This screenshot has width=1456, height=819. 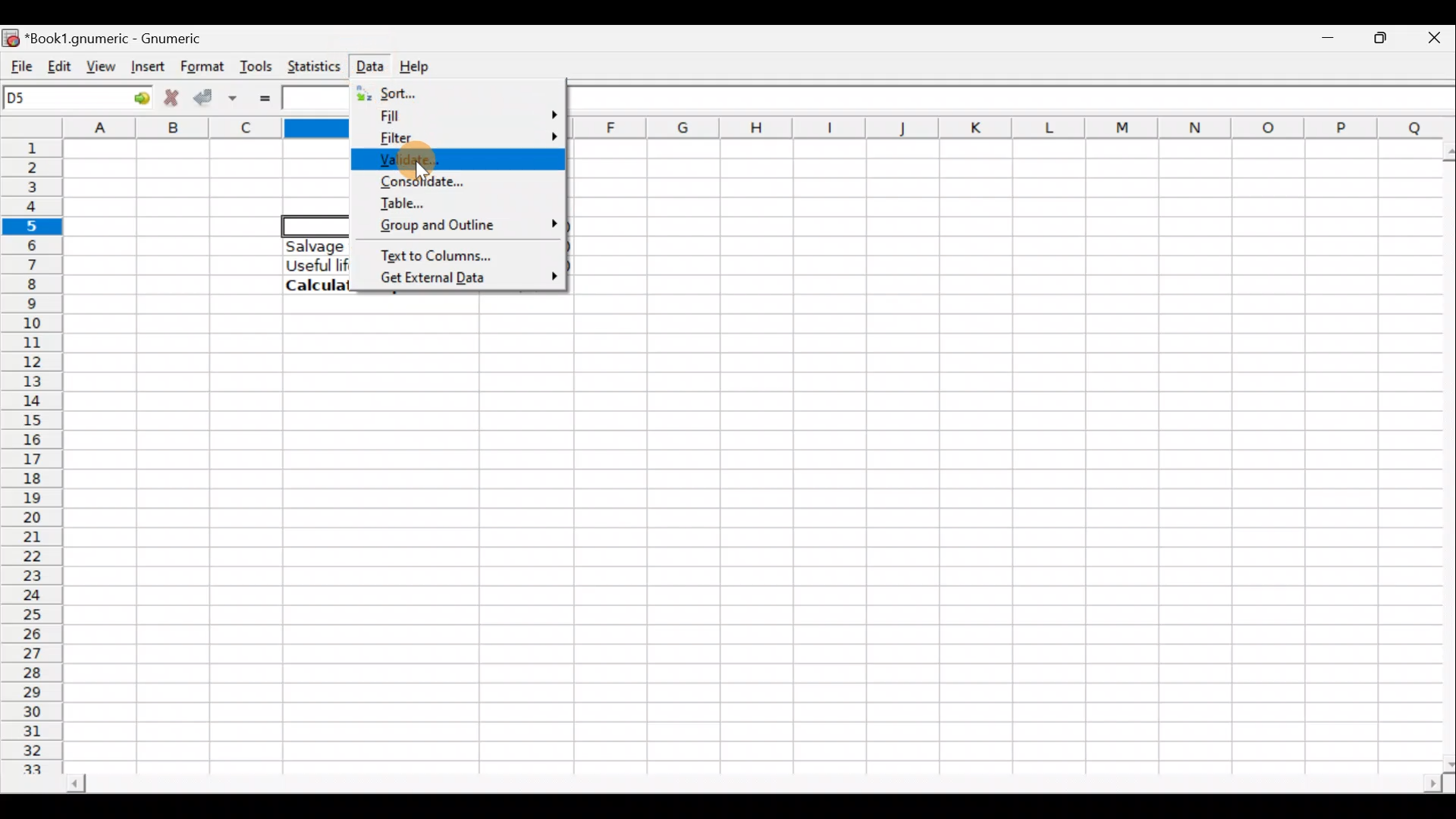 I want to click on Formula bar, so click(x=1015, y=100).